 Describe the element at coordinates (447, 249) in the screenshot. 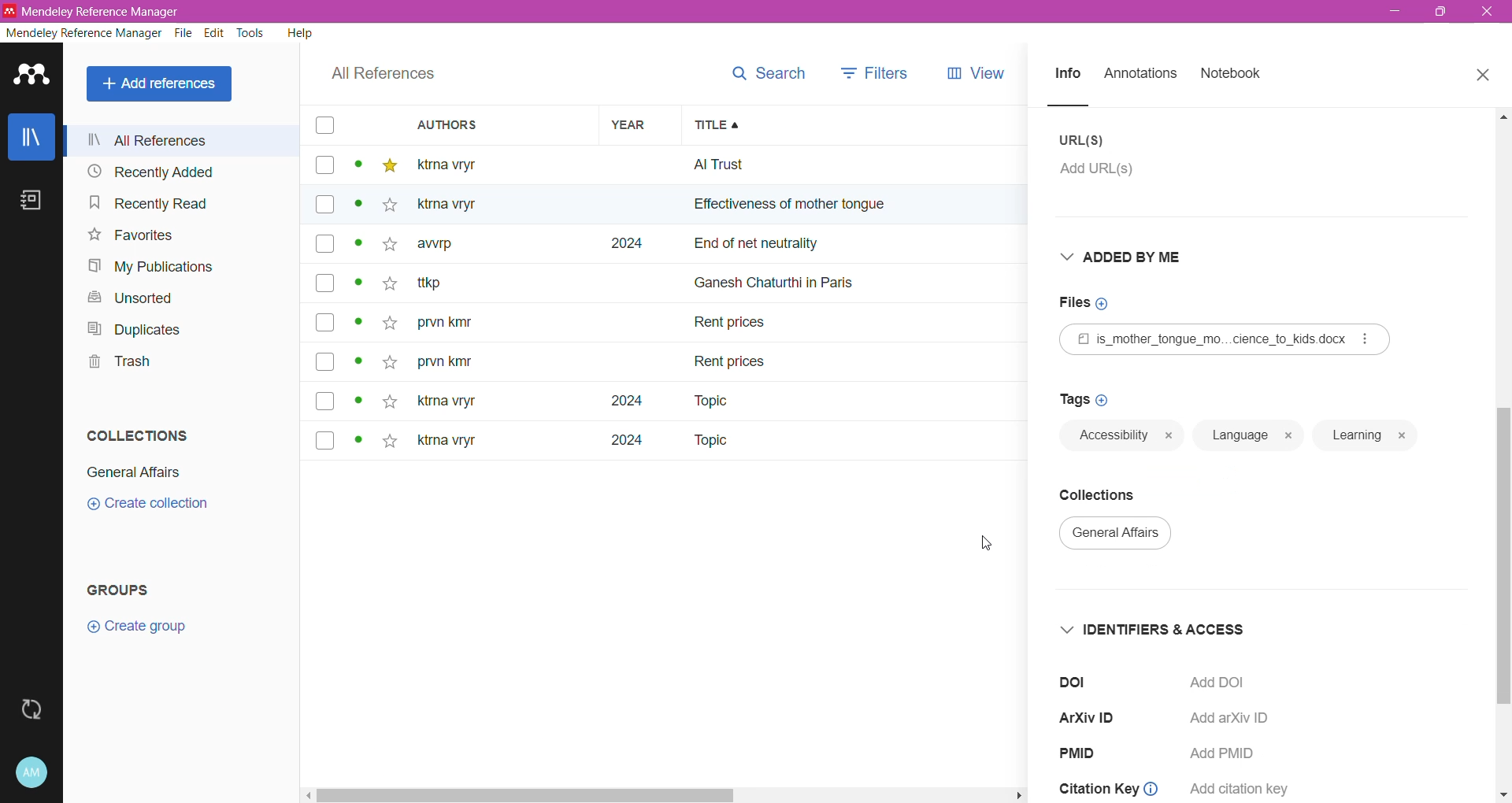

I see `awrp` at that location.